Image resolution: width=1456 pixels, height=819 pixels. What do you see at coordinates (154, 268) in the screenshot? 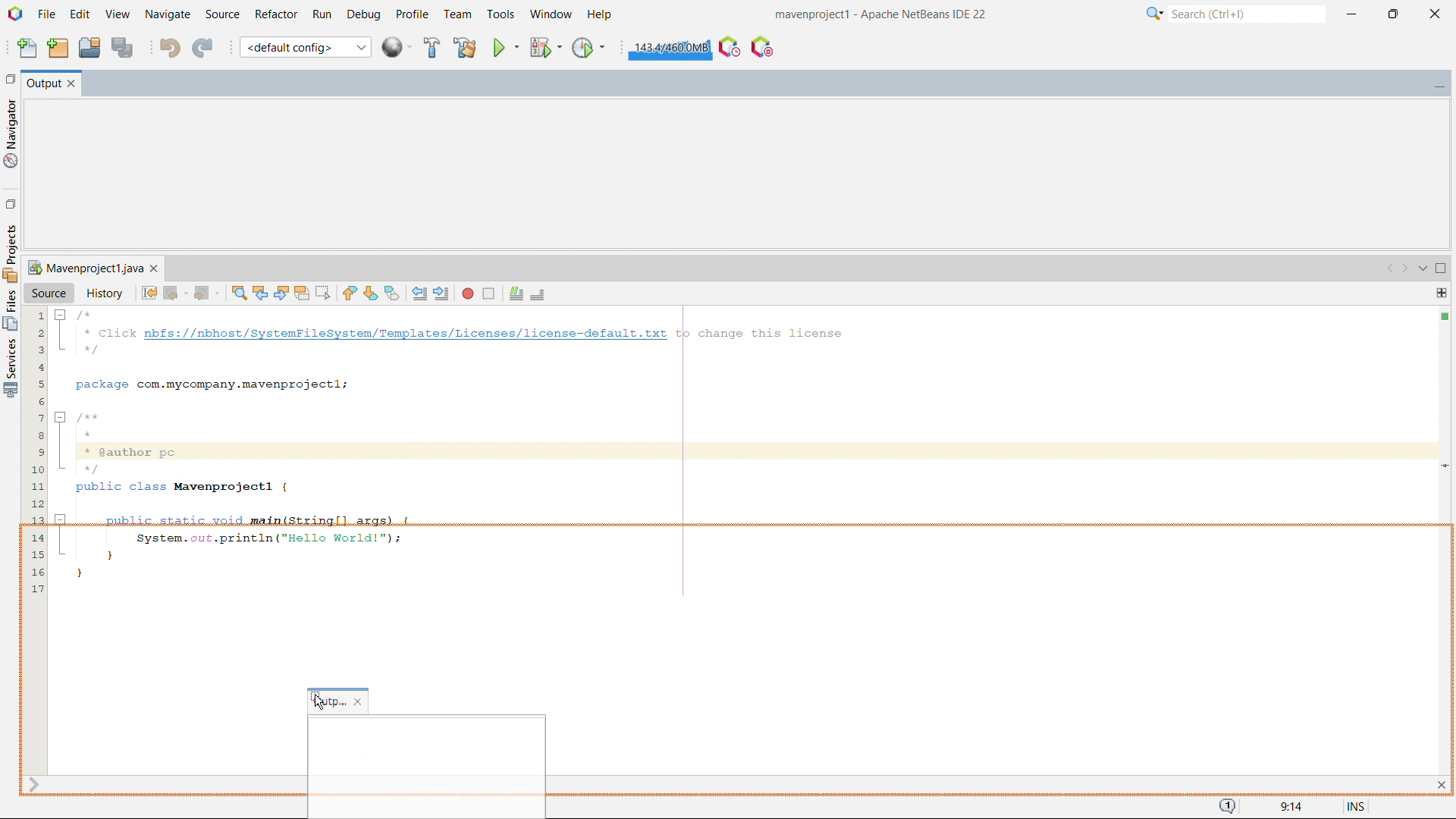
I see `close window` at bounding box center [154, 268].